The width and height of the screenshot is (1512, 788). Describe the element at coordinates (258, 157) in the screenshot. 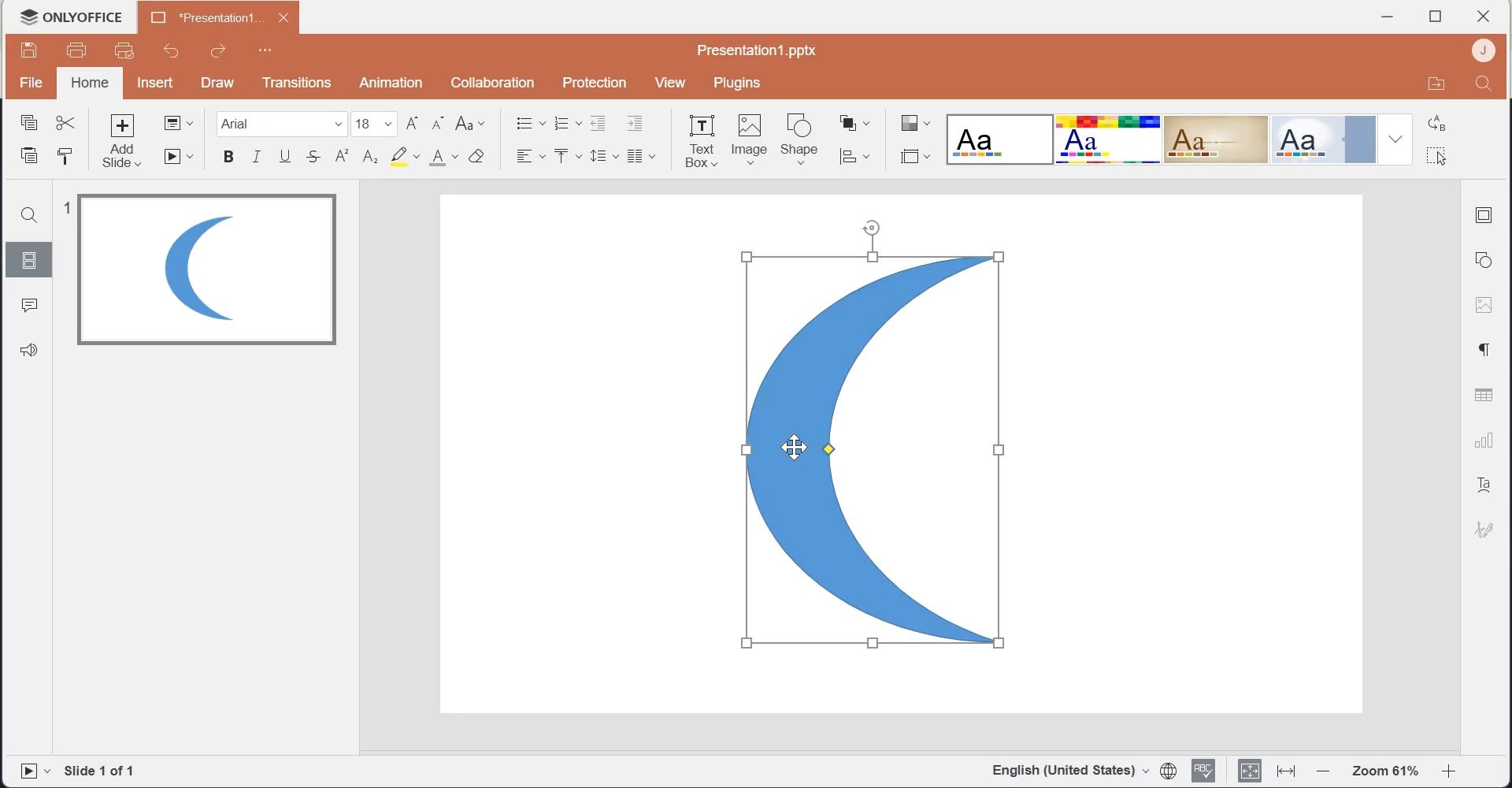

I see `Italic` at that location.